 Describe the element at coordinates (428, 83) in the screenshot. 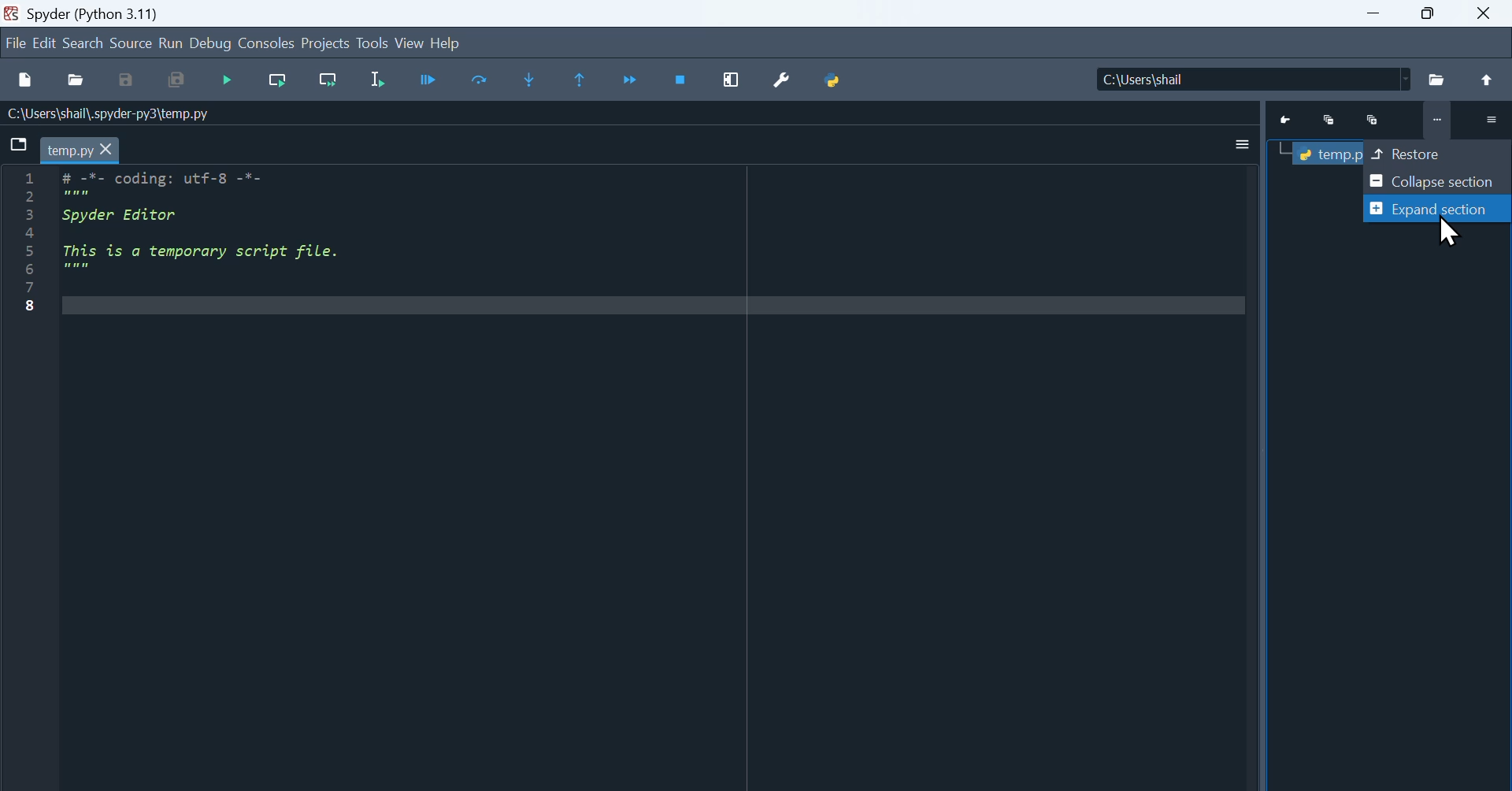

I see `Run cell` at that location.